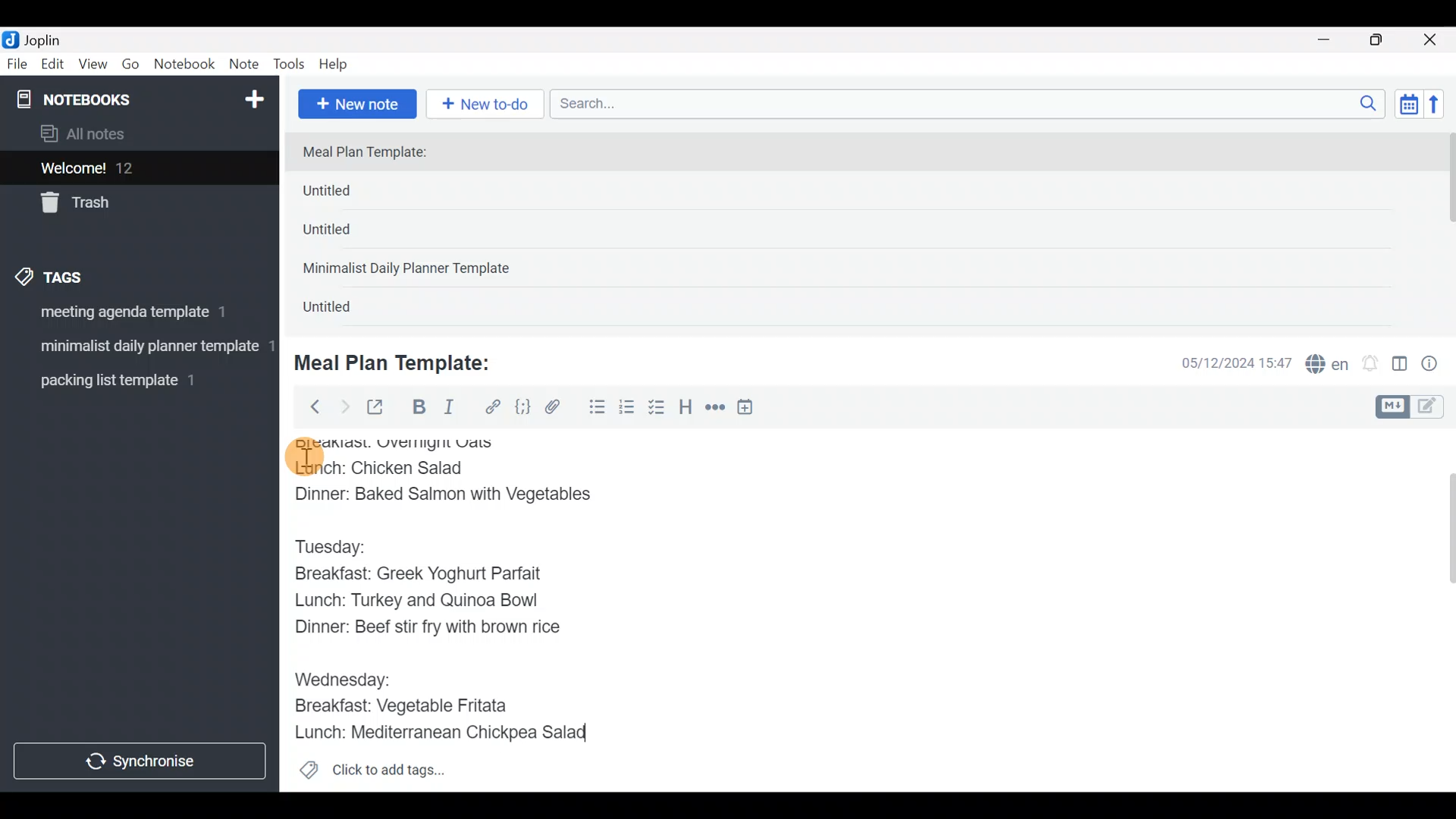 The image size is (1456, 819). I want to click on Forward, so click(344, 406).